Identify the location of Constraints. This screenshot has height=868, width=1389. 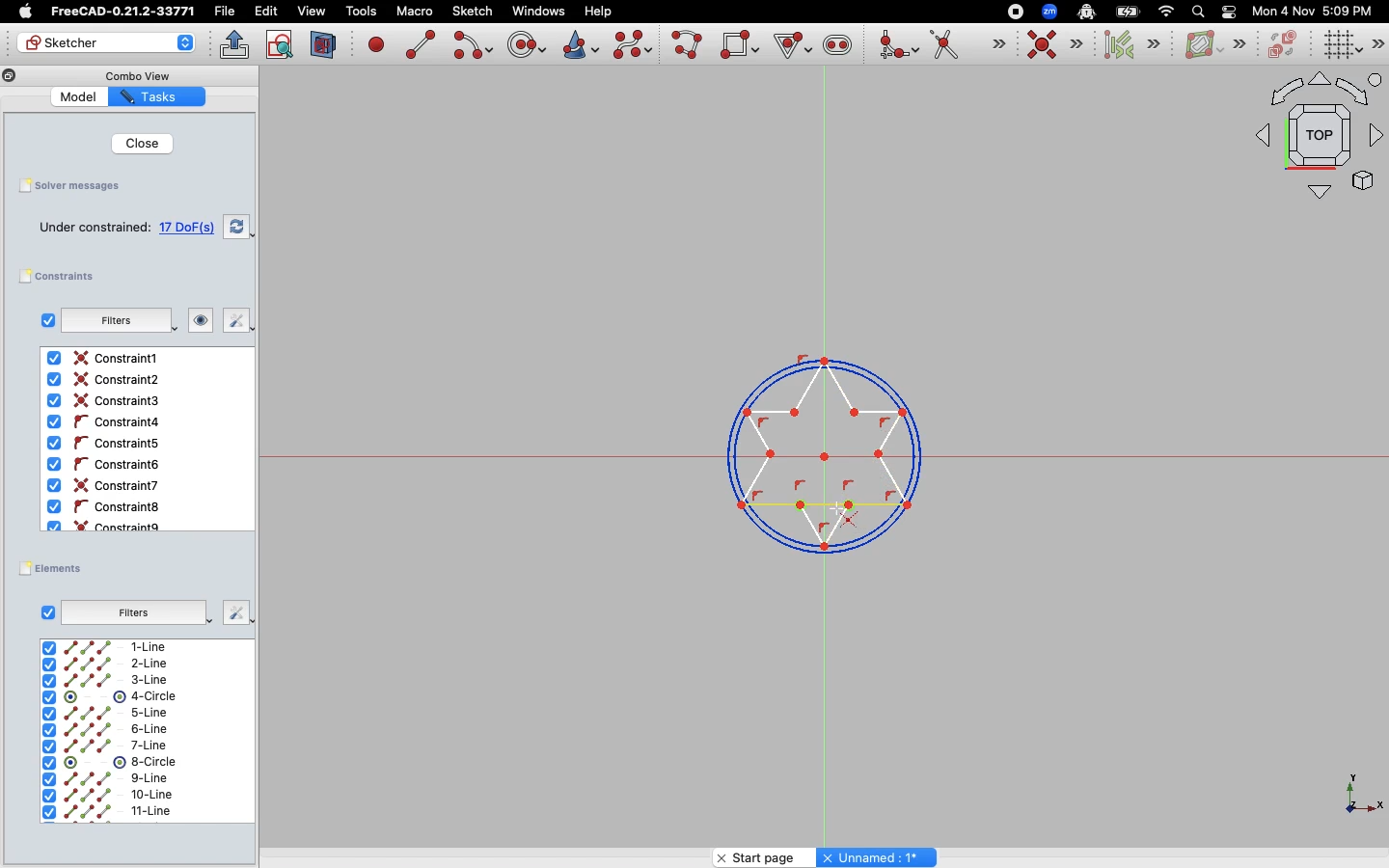
(65, 277).